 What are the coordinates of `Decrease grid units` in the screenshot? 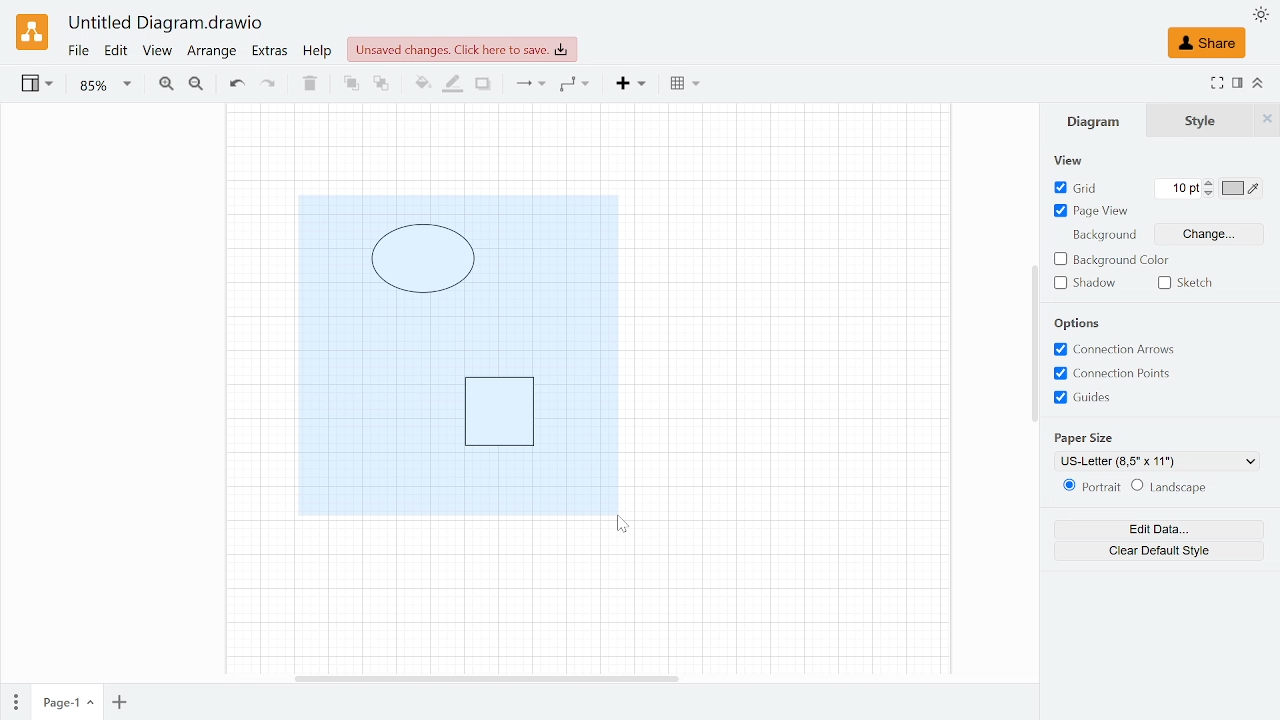 It's located at (1209, 194).